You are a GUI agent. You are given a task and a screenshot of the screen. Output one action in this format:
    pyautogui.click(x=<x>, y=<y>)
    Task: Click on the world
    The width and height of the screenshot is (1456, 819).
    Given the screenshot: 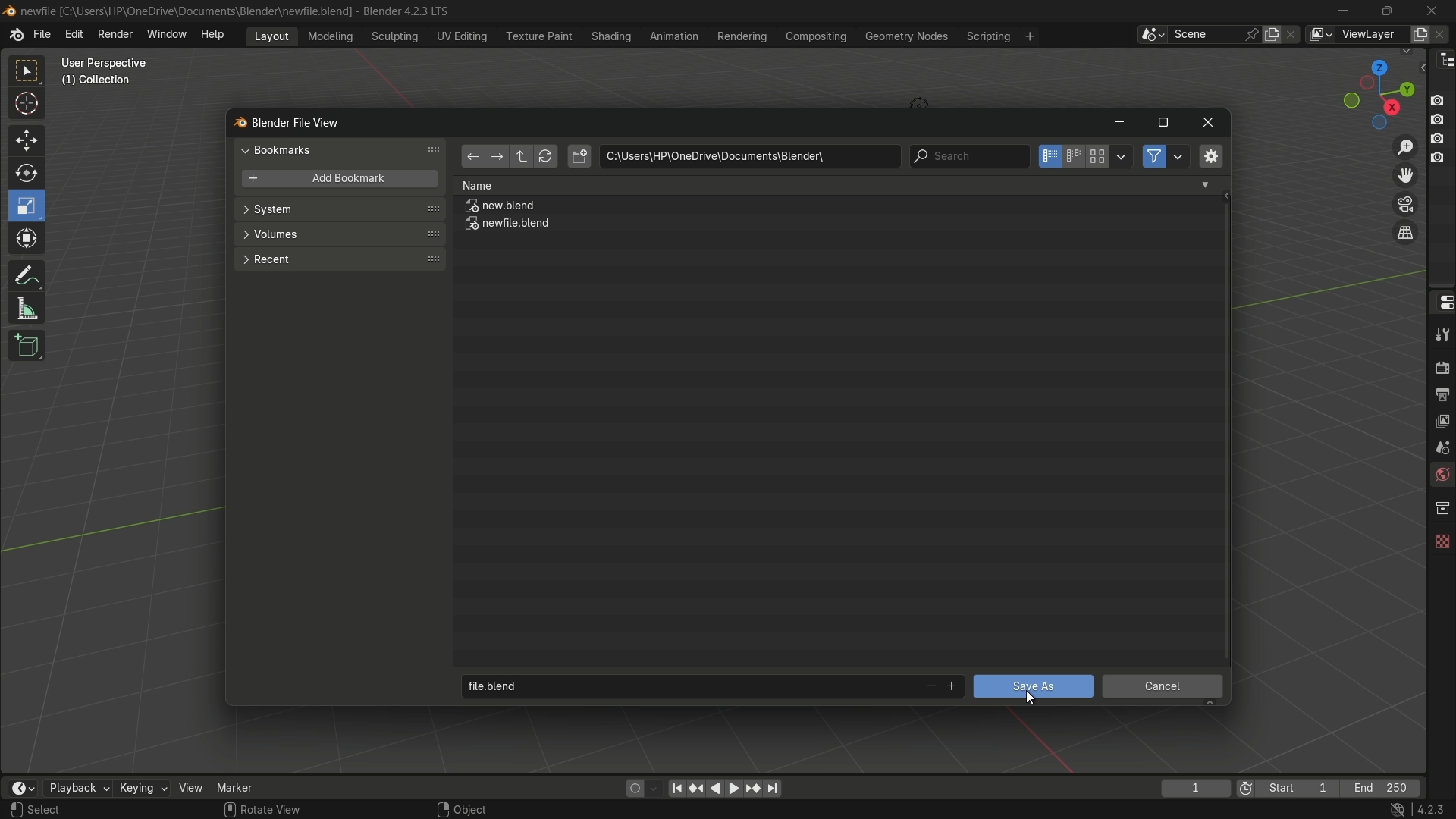 What is the action you would take?
    pyautogui.click(x=1441, y=476)
    